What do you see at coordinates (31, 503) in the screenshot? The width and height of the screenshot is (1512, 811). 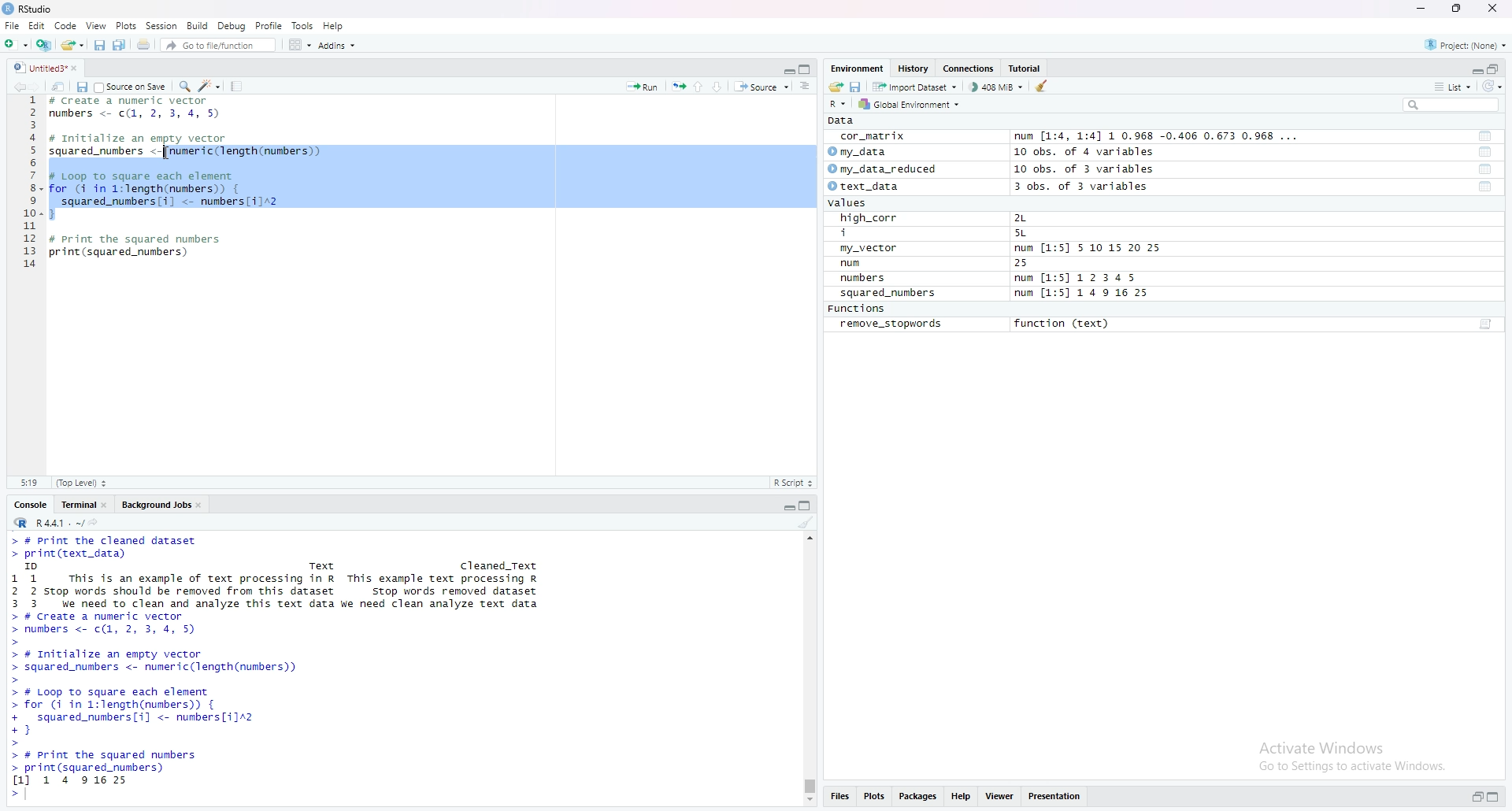 I see `Console` at bounding box center [31, 503].